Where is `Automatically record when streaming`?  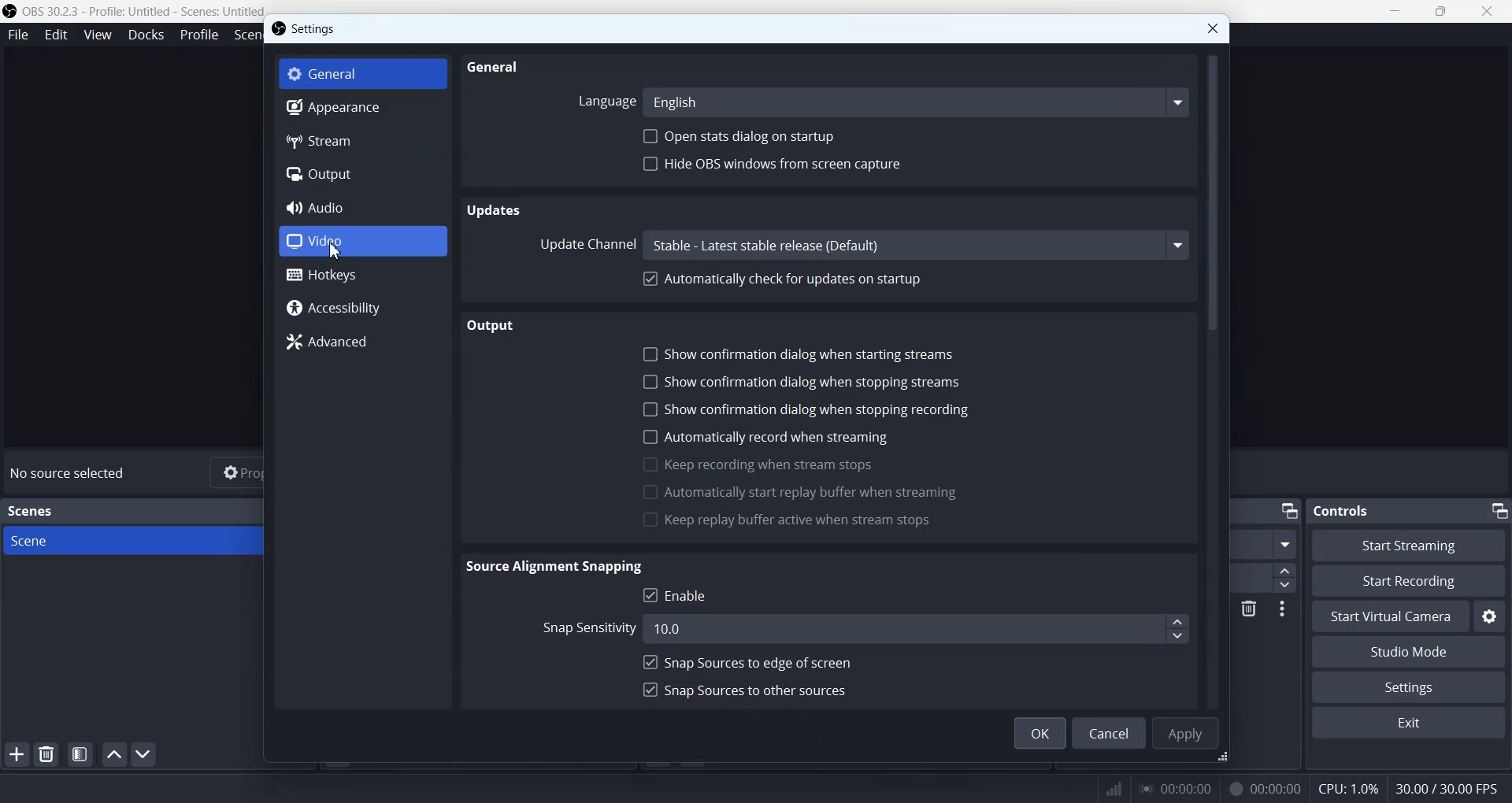 Automatically record when streaming is located at coordinates (765, 438).